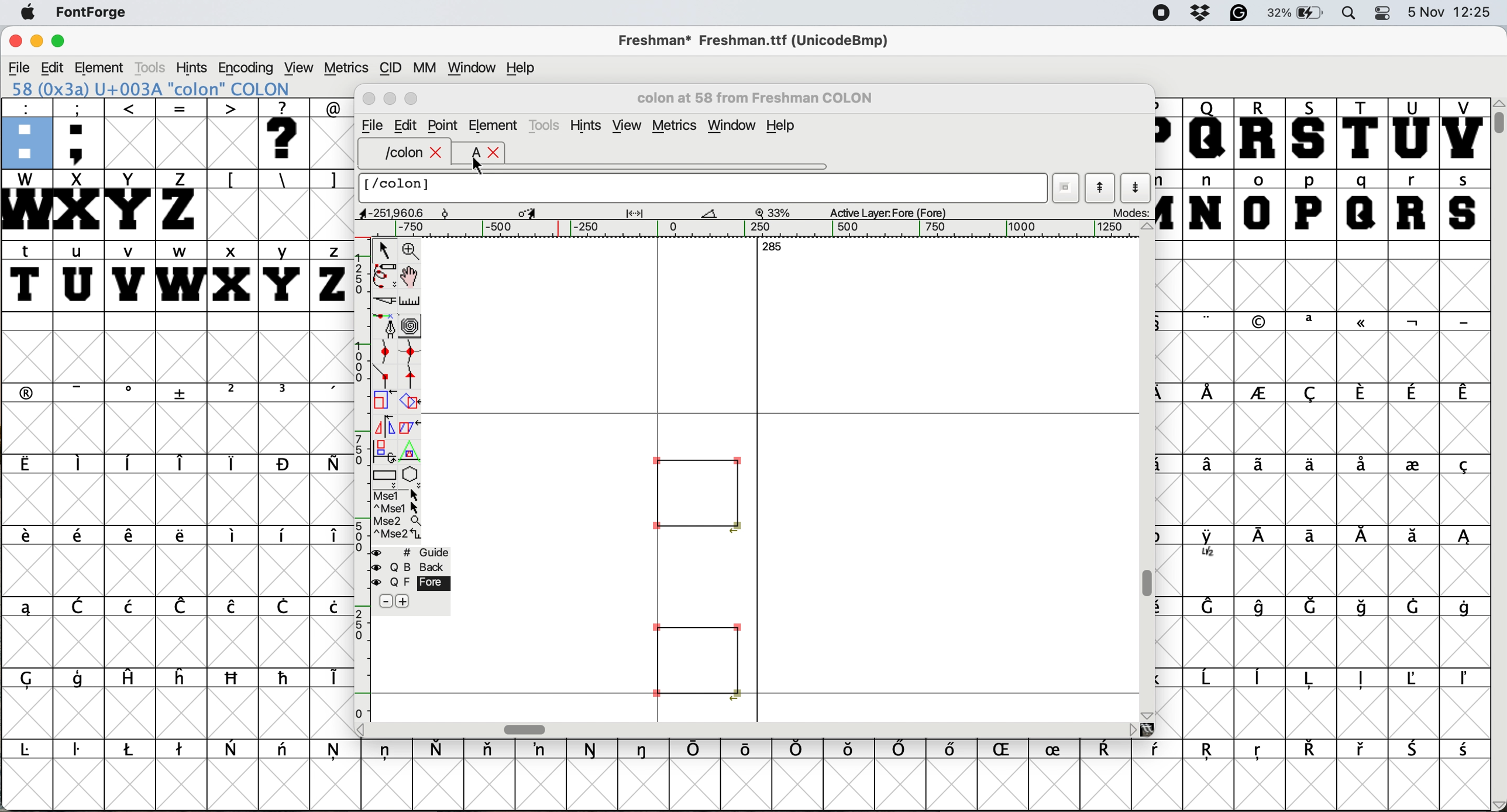  Describe the element at coordinates (380, 350) in the screenshot. I see `add a curve point` at that location.